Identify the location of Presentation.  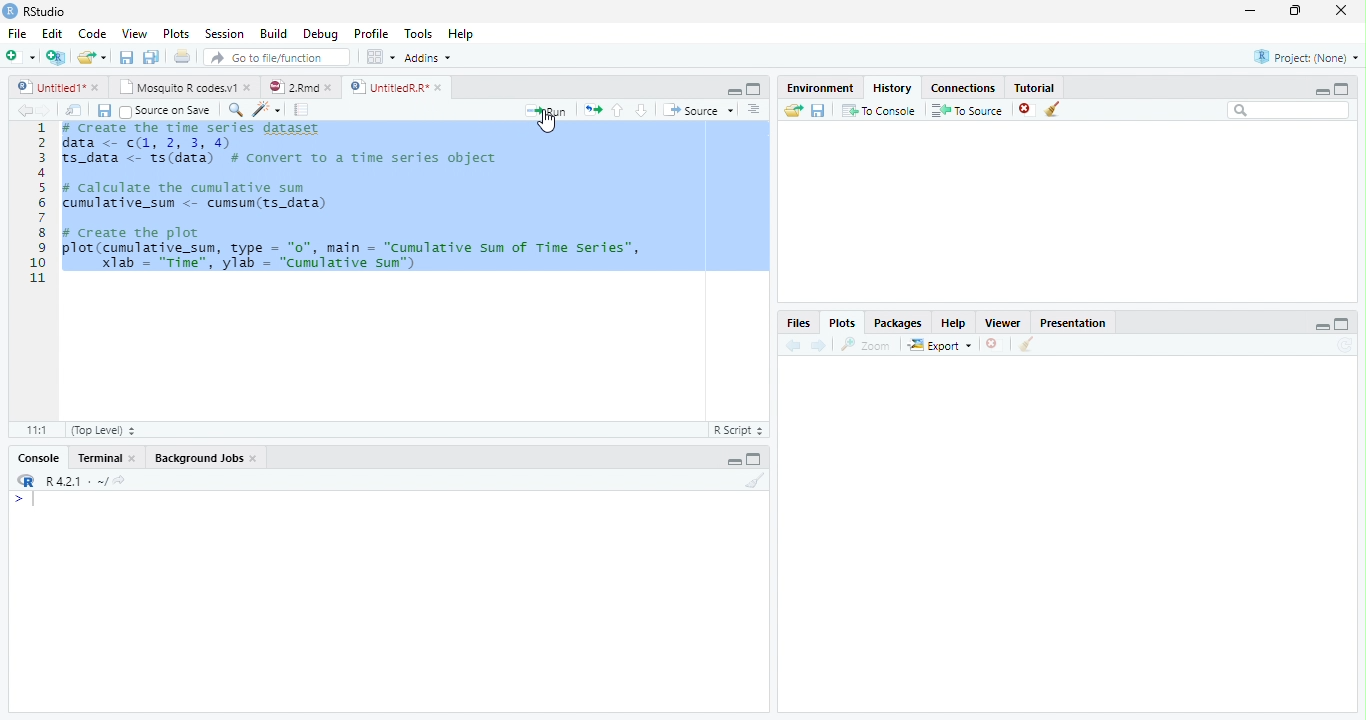
(1074, 324).